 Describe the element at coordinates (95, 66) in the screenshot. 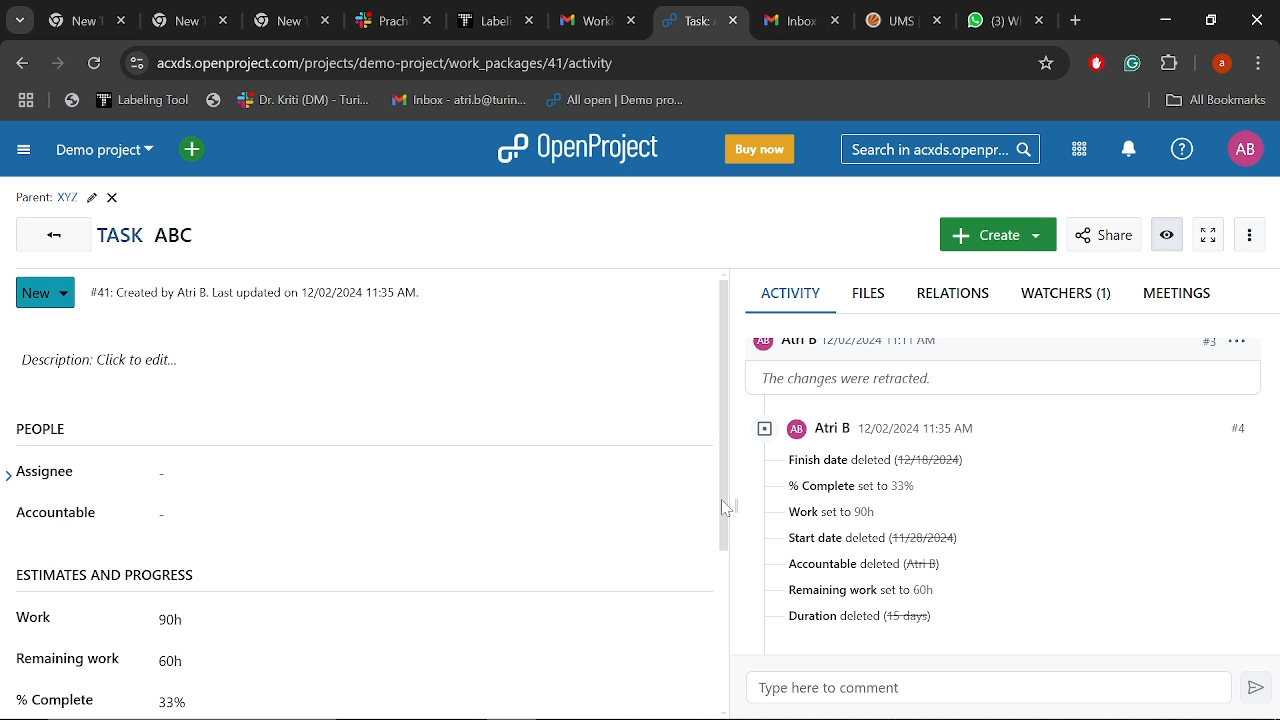

I see `Refresh` at that location.